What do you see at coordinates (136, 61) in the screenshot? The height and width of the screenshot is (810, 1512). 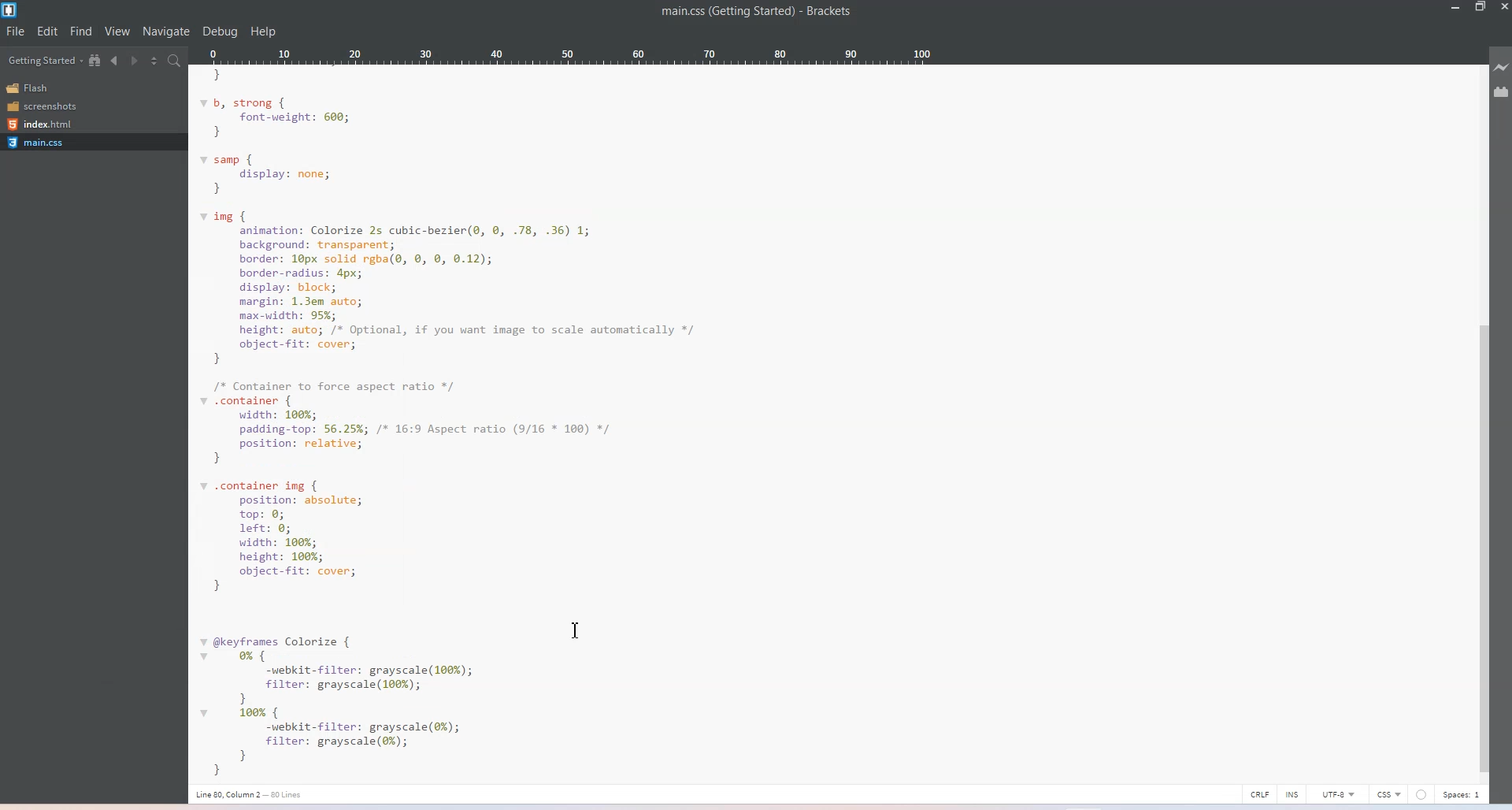 I see `Navigate Forwards` at bounding box center [136, 61].